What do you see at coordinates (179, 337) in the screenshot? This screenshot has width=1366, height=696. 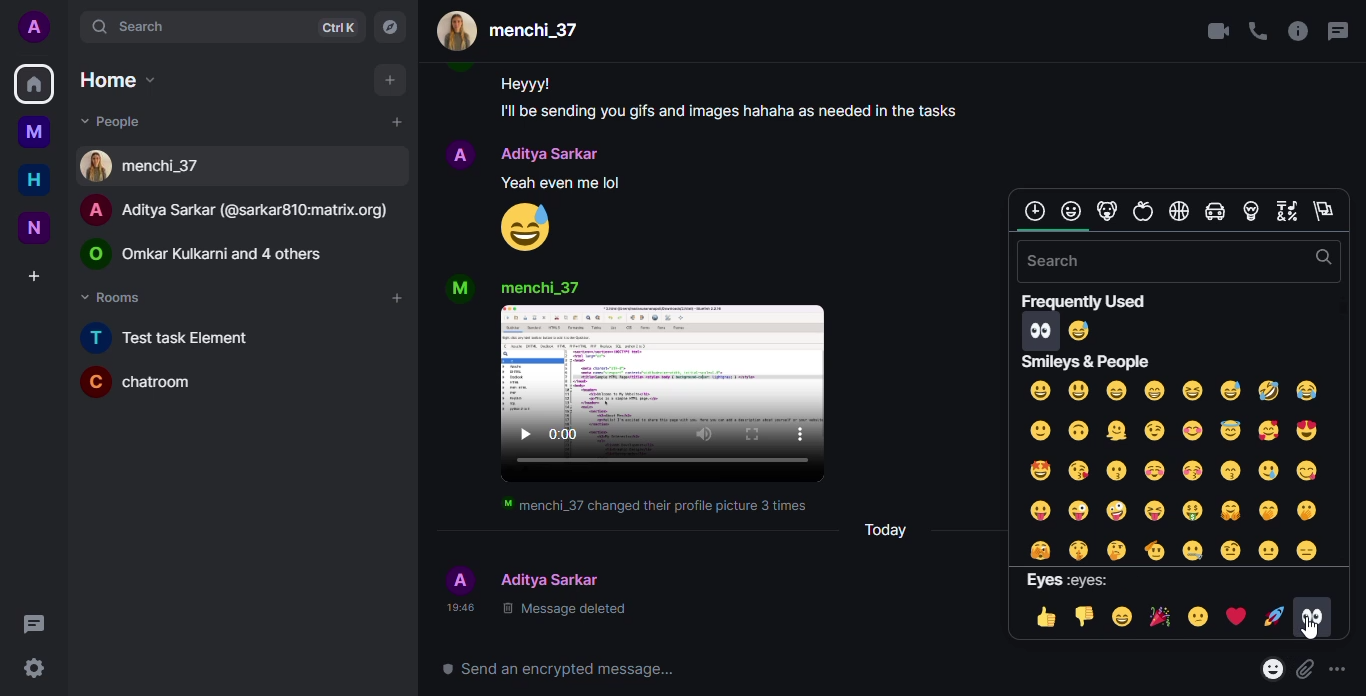 I see `new task element` at bounding box center [179, 337].